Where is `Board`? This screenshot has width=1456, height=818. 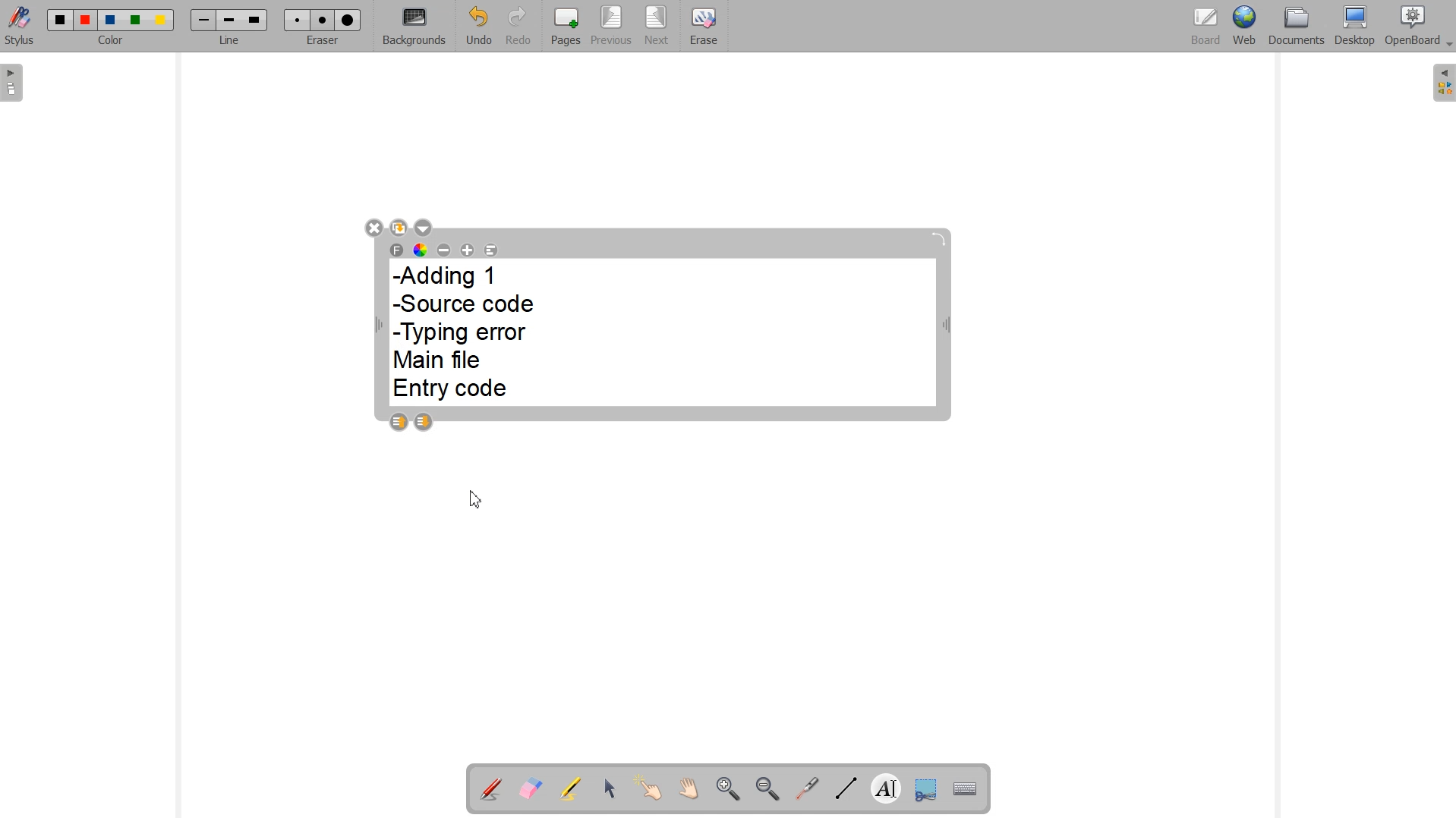 Board is located at coordinates (1206, 27).